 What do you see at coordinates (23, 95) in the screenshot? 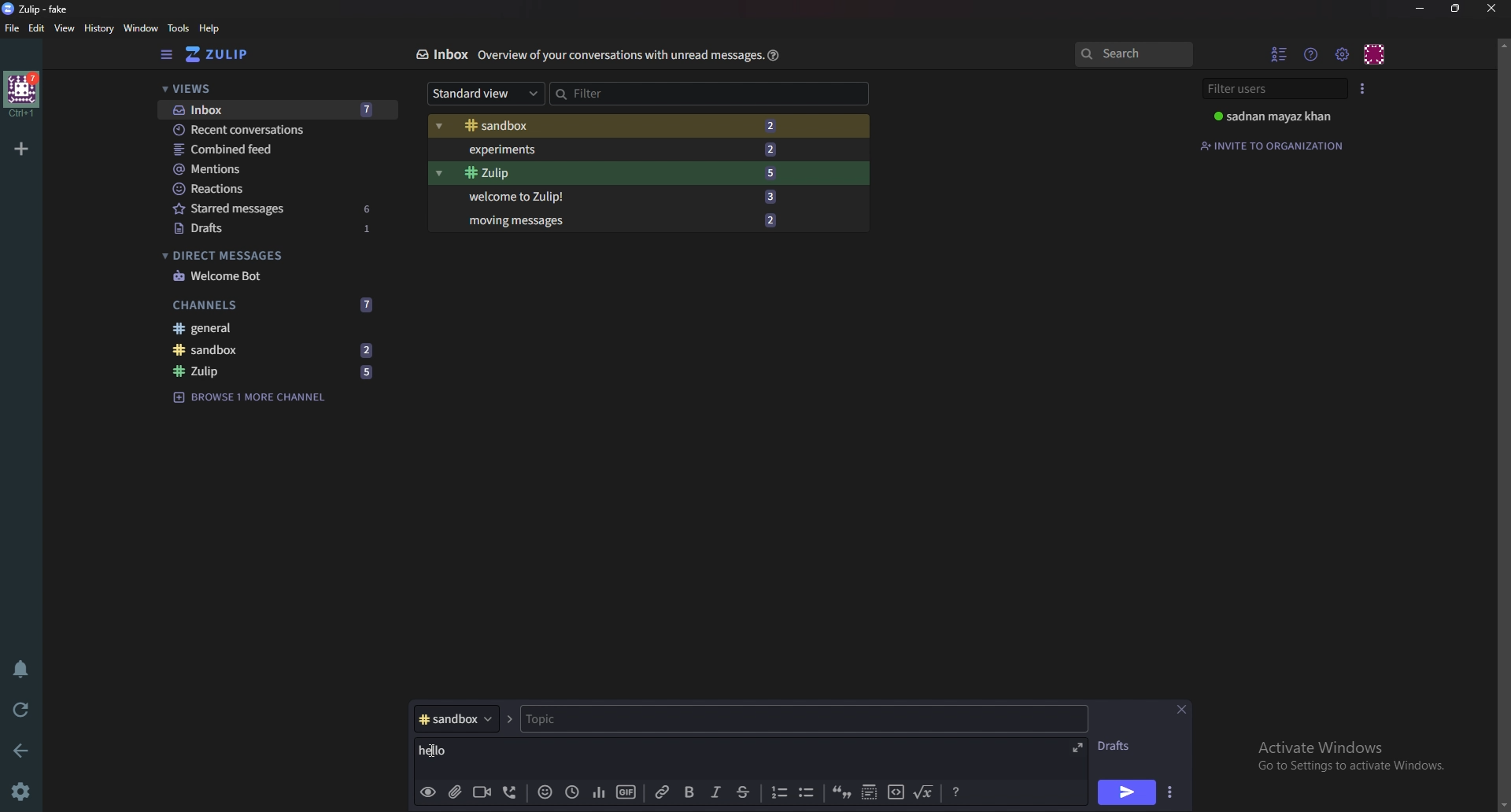
I see `home` at bounding box center [23, 95].